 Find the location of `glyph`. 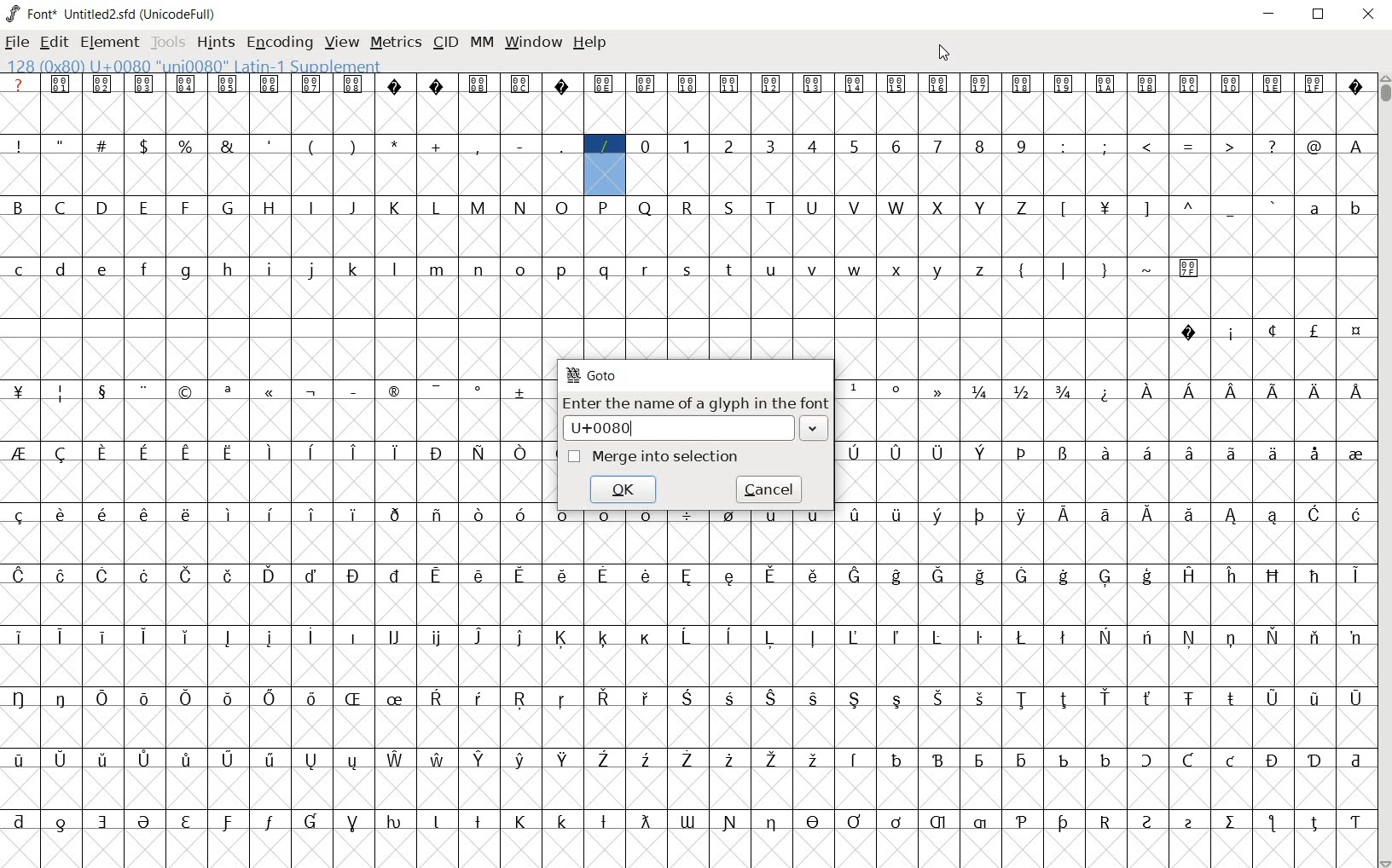

glyph is located at coordinates (393, 822).